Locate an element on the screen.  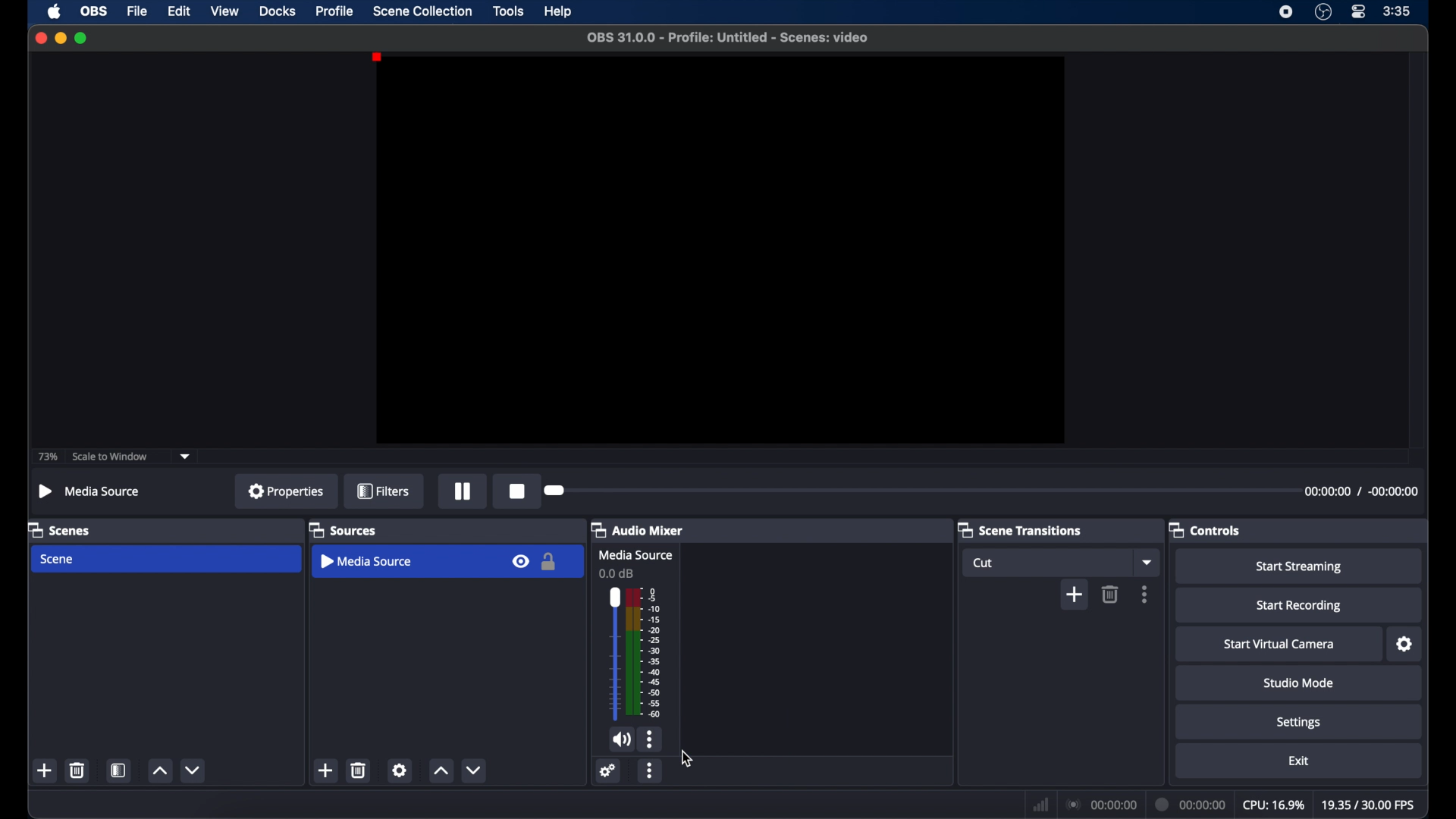
add is located at coordinates (45, 770).